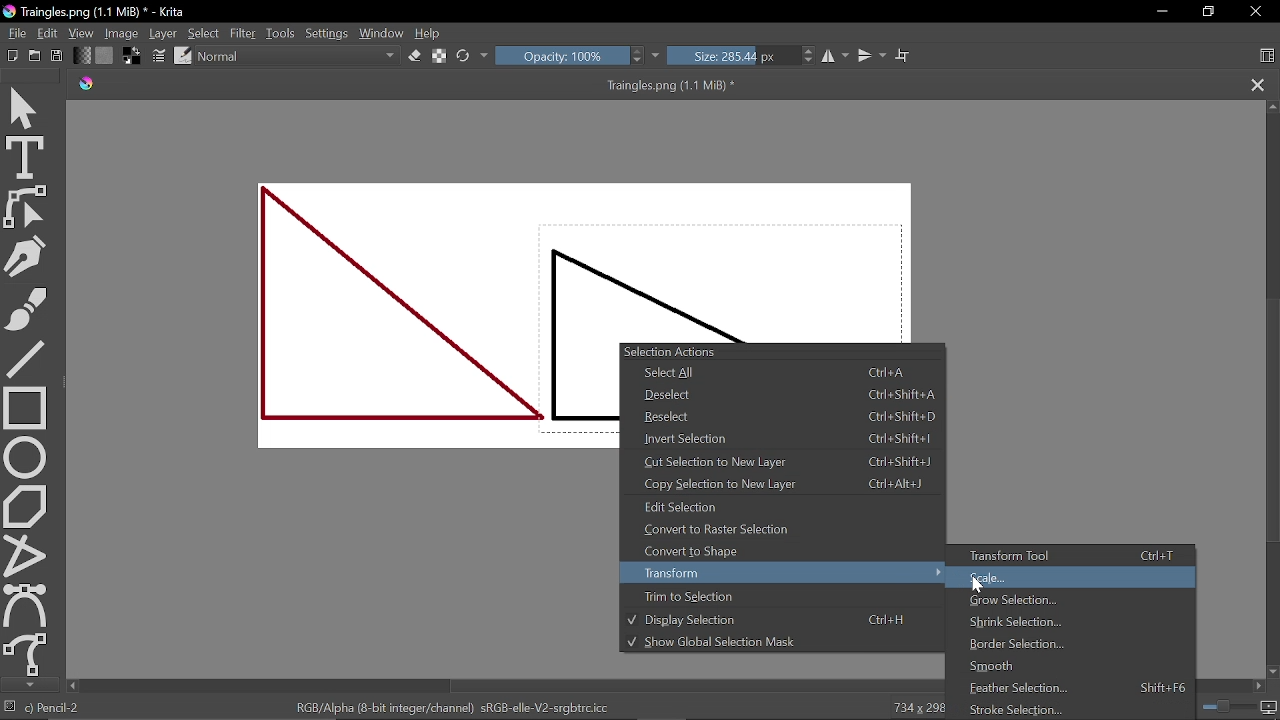  What do you see at coordinates (438, 57) in the screenshot?
I see `Preserve alpha` at bounding box center [438, 57].